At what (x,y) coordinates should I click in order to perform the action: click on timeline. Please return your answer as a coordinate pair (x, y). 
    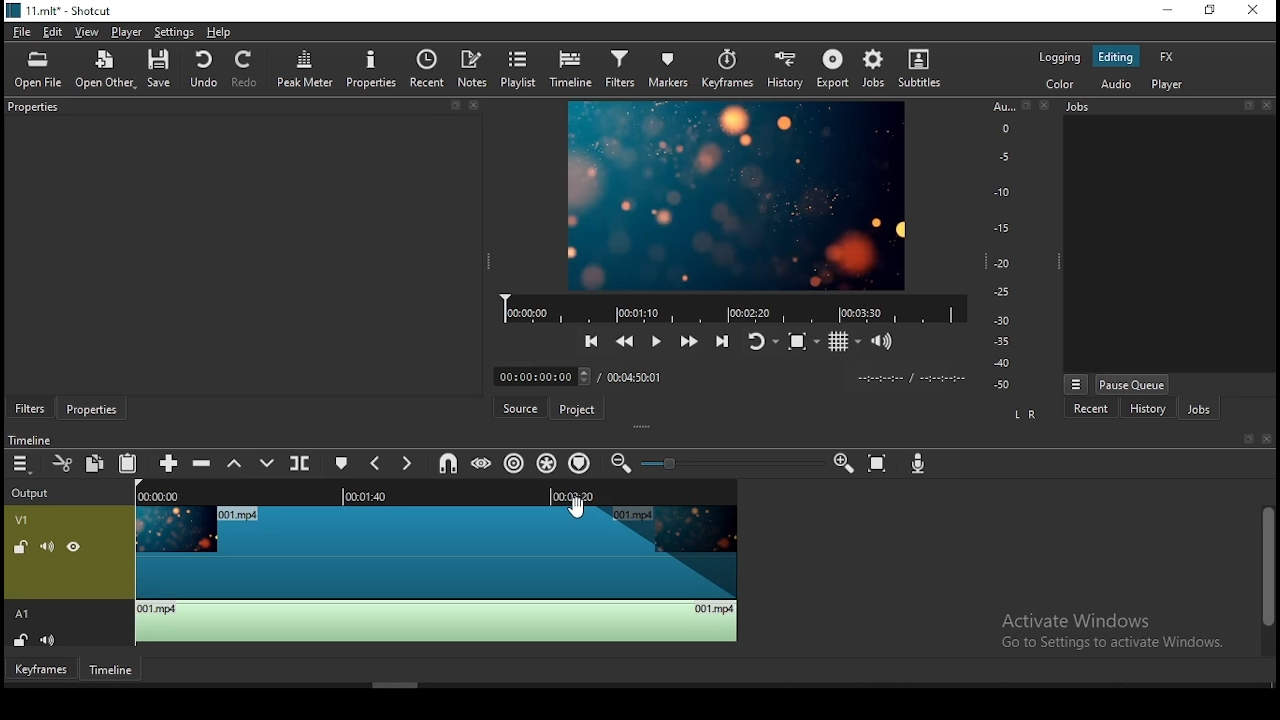
    Looking at the image, I should click on (111, 672).